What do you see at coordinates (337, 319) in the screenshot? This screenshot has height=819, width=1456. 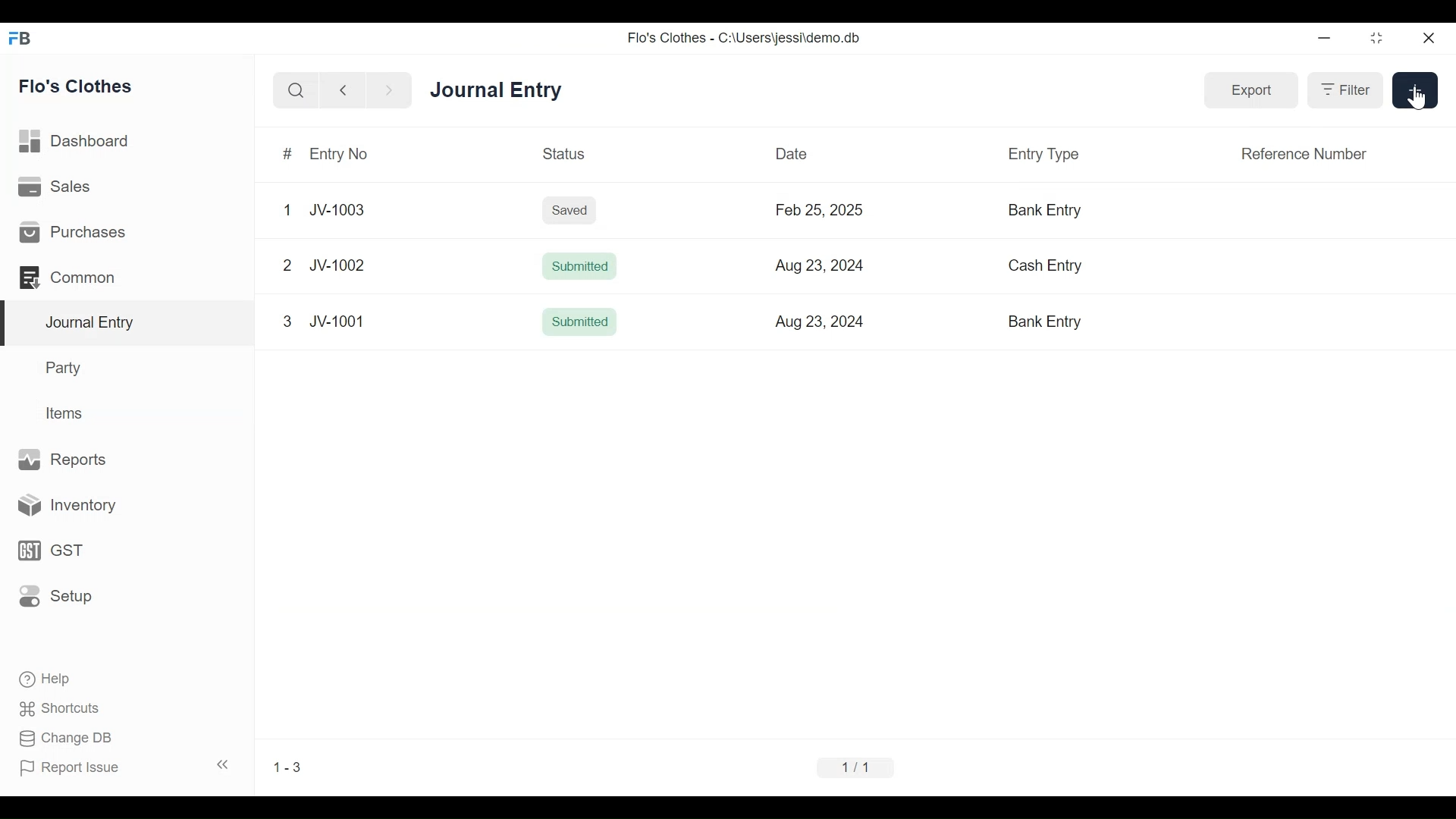 I see `JV-1001` at bounding box center [337, 319].